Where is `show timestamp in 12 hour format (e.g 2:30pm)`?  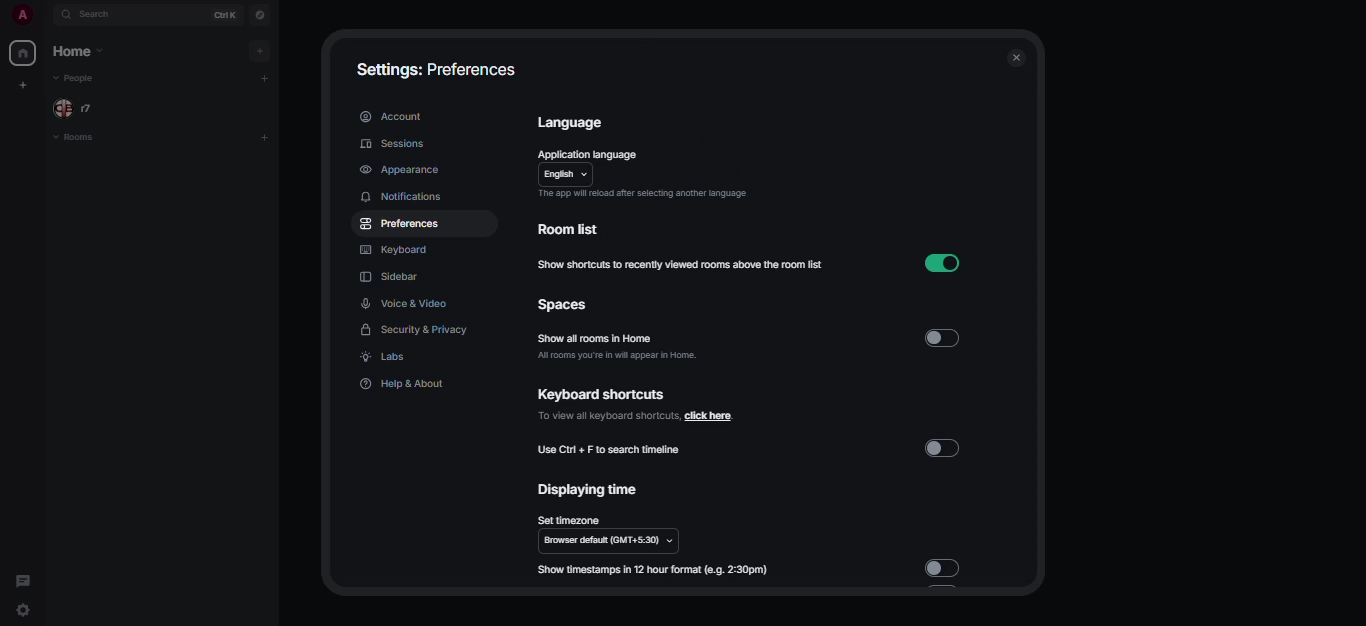
show timestamp in 12 hour format (e.g 2:30pm) is located at coordinates (653, 571).